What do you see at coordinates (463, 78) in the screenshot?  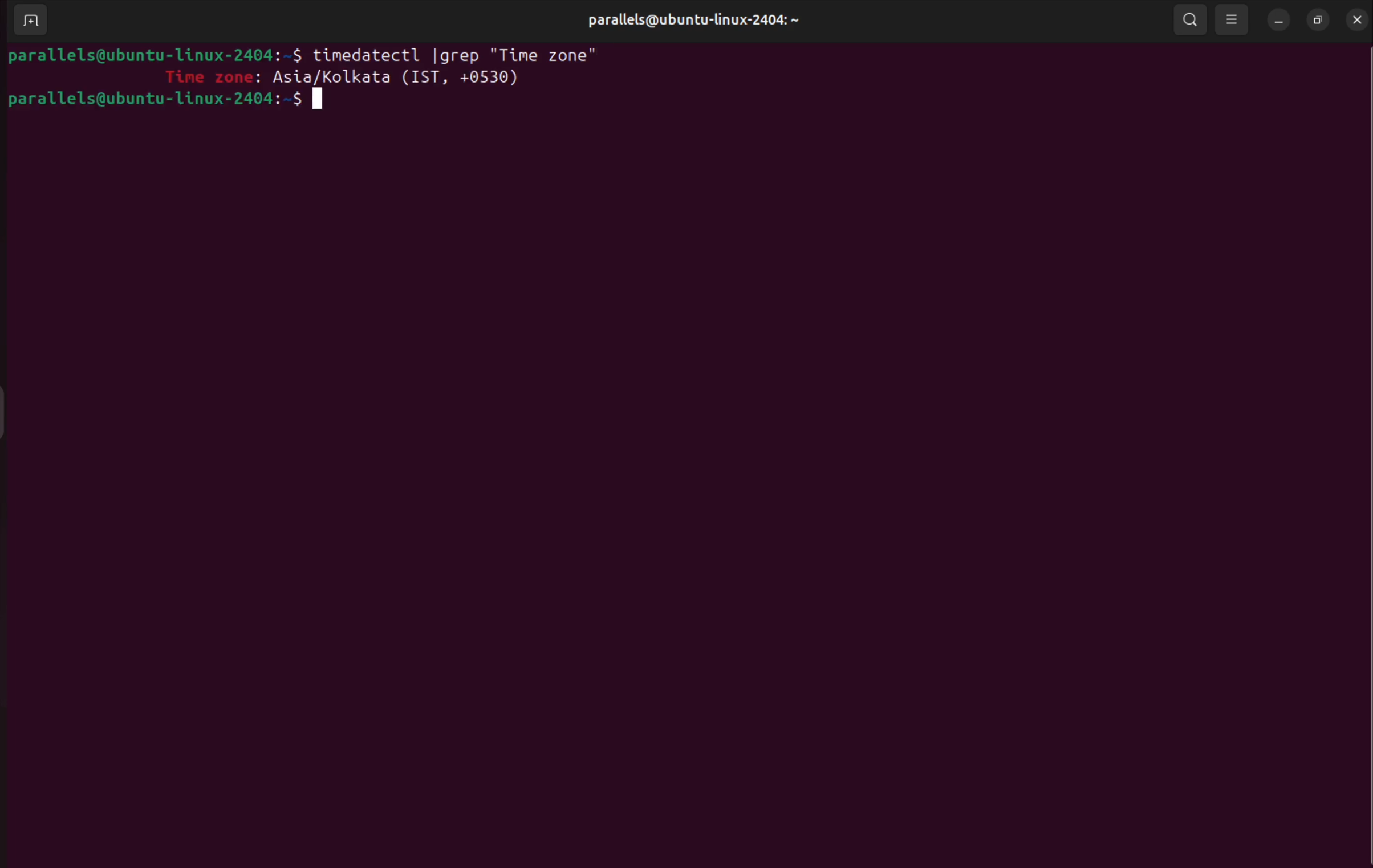 I see `(IST + 0530)` at bounding box center [463, 78].